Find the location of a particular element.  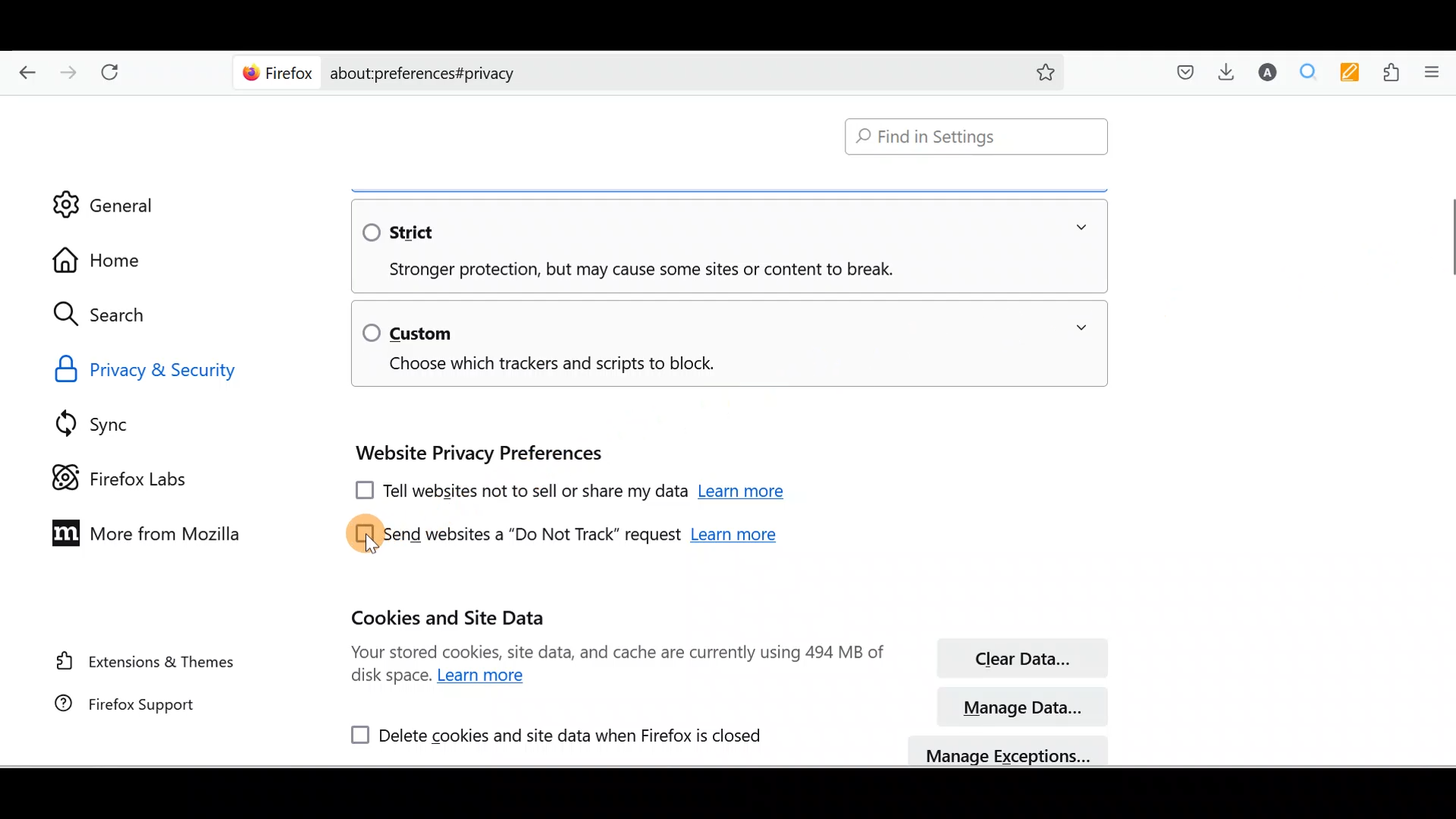

Extensions is located at coordinates (1393, 71).